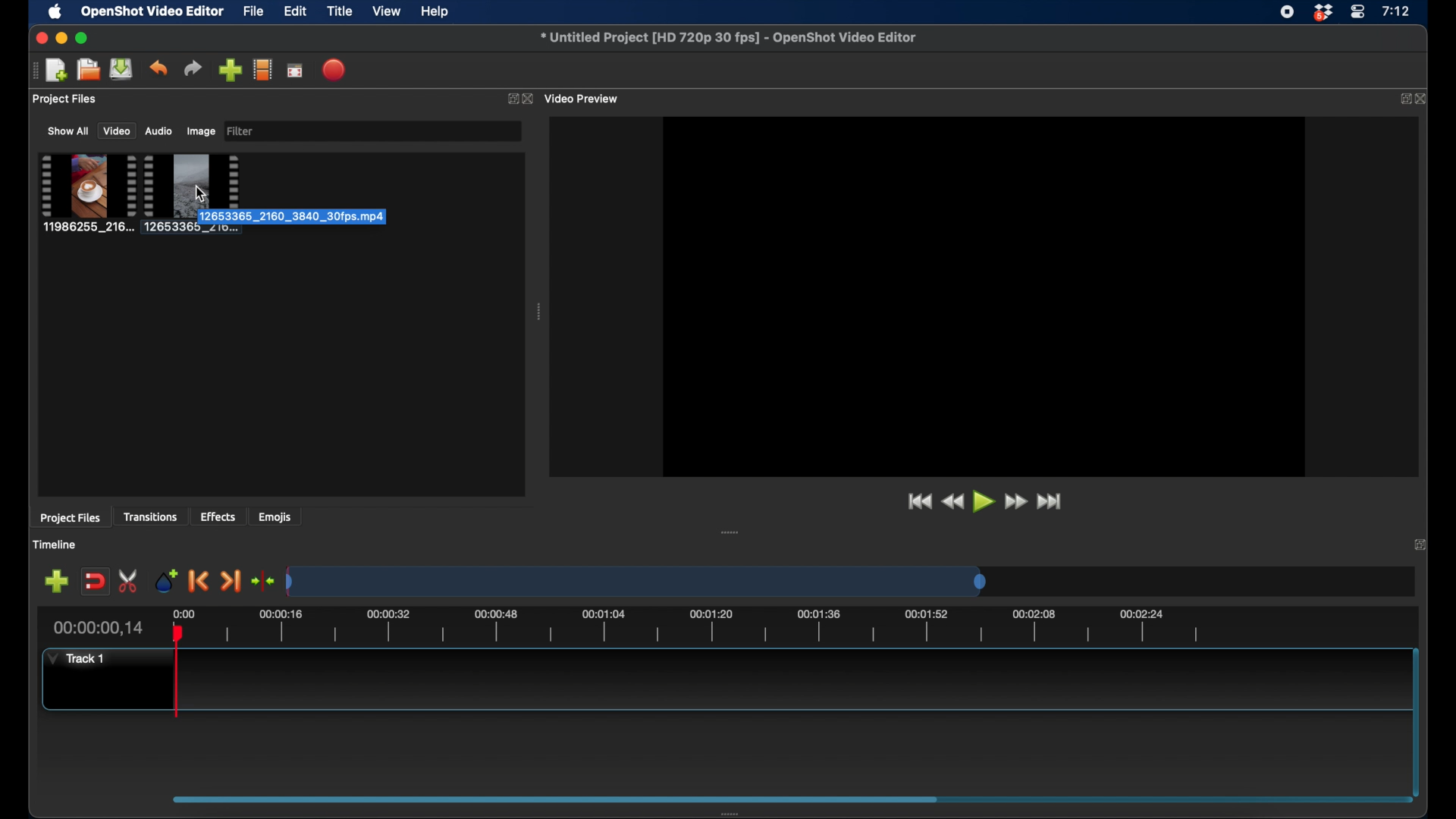 This screenshot has height=819, width=1456. I want to click on Cursor, so click(201, 193).